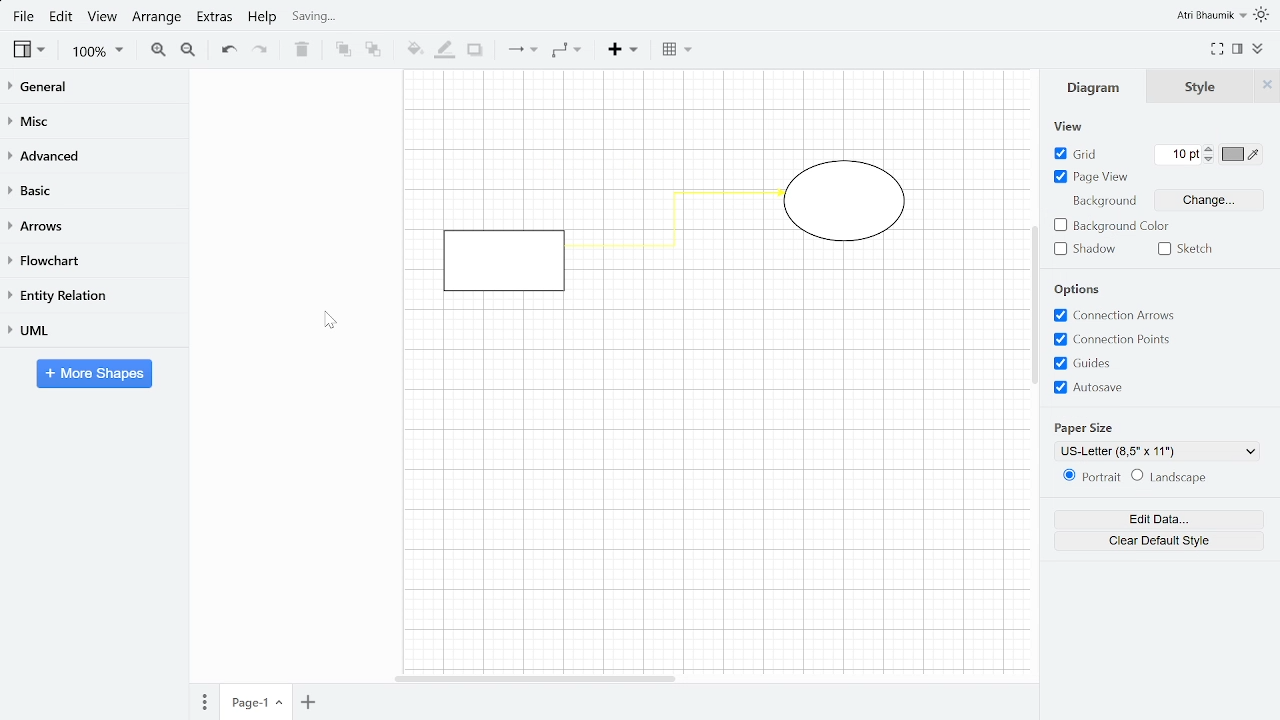  What do you see at coordinates (1090, 248) in the screenshot?
I see `Shadow` at bounding box center [1090, 248].